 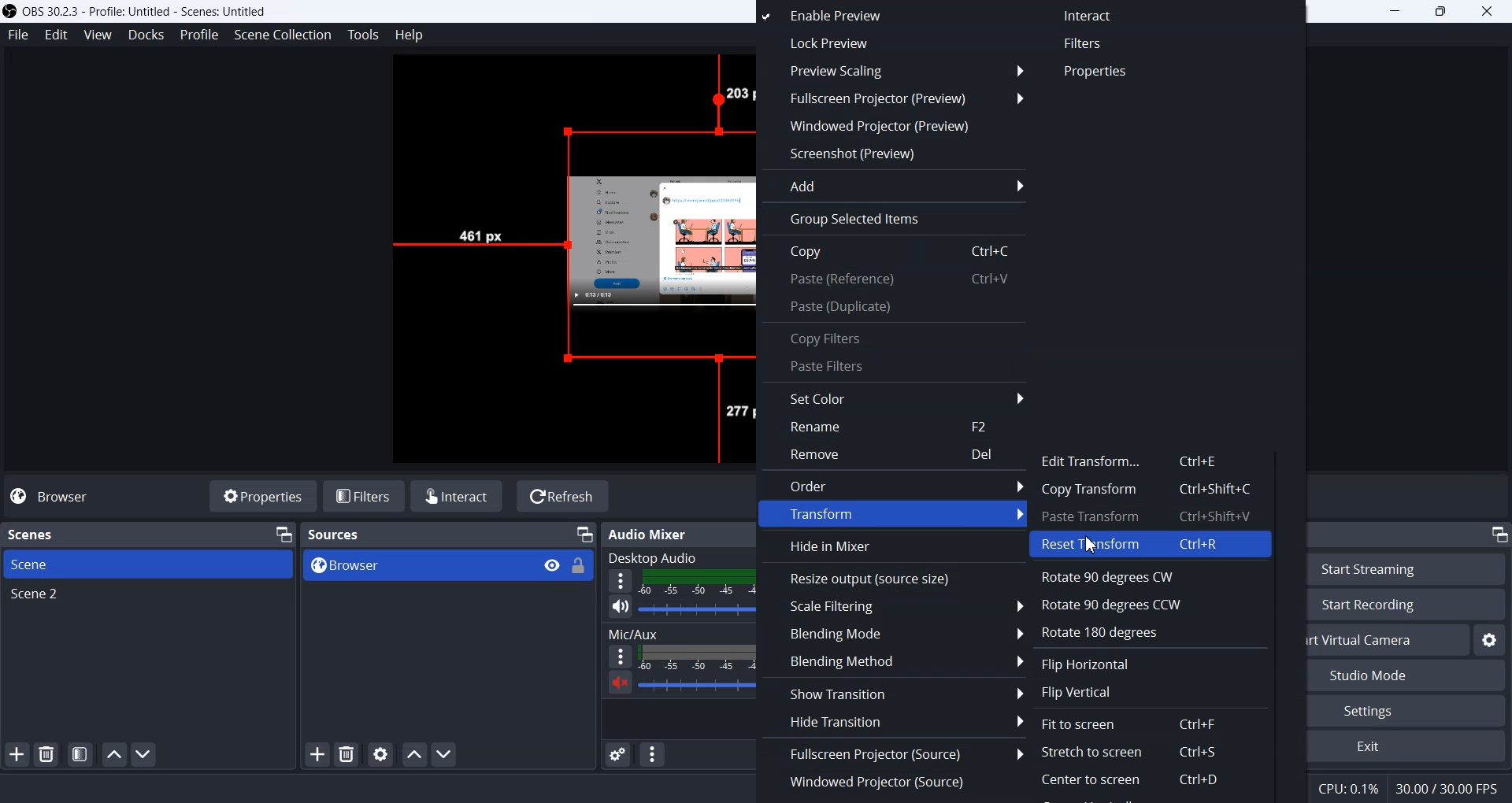 I want to click on Group selected items, so click(x=891, y=219).